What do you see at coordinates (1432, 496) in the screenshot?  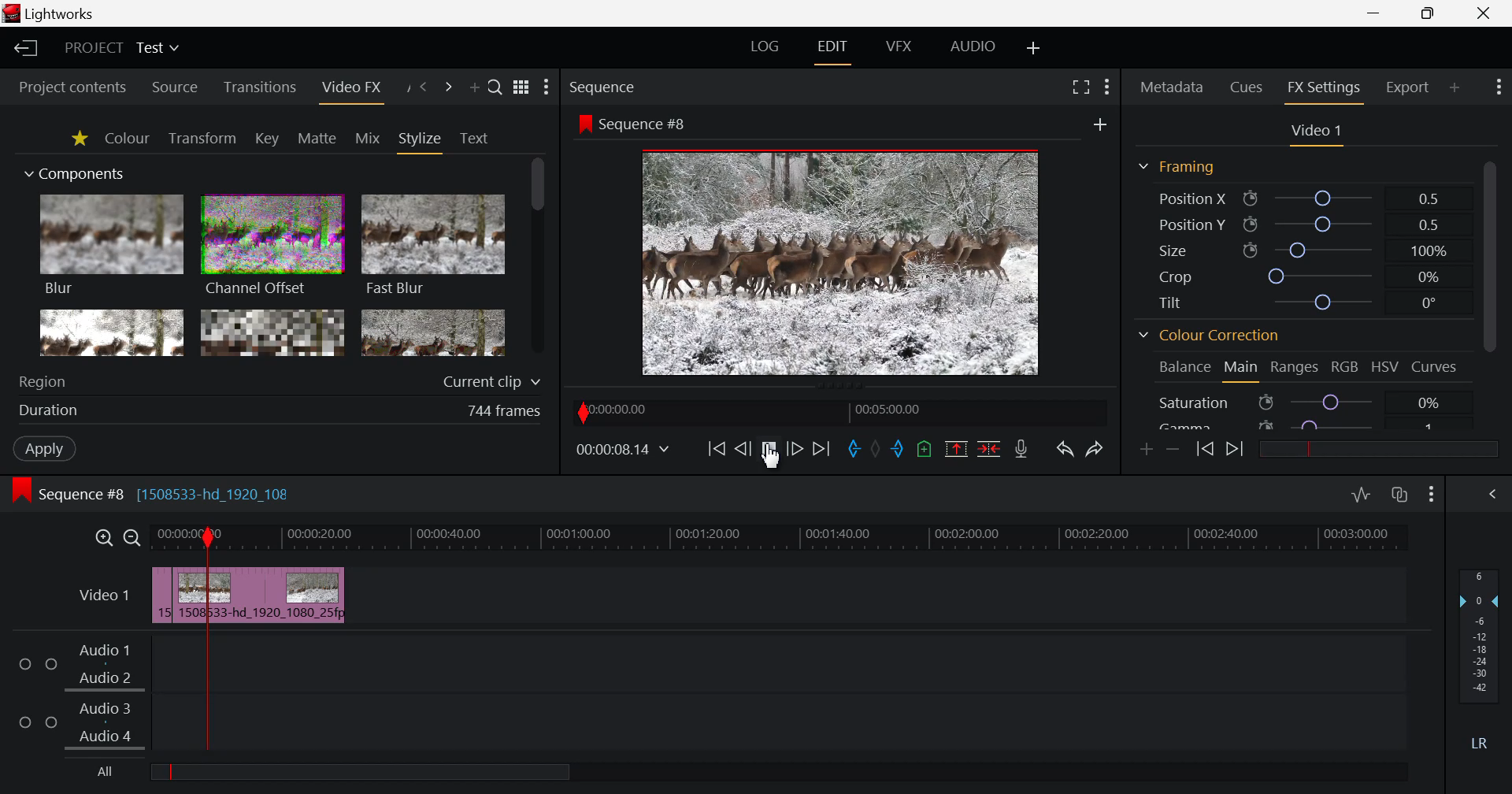 I see `Show Settings` at bounding box center [1432, 496].